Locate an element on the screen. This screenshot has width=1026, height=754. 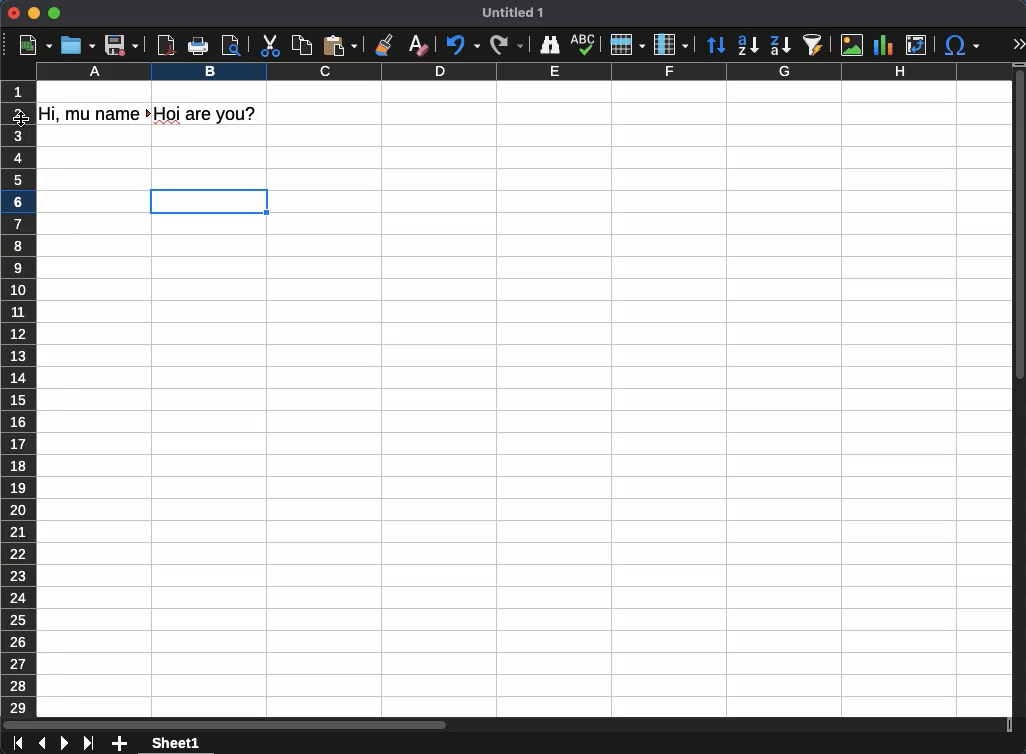
column is located at coordinates (671, 44).